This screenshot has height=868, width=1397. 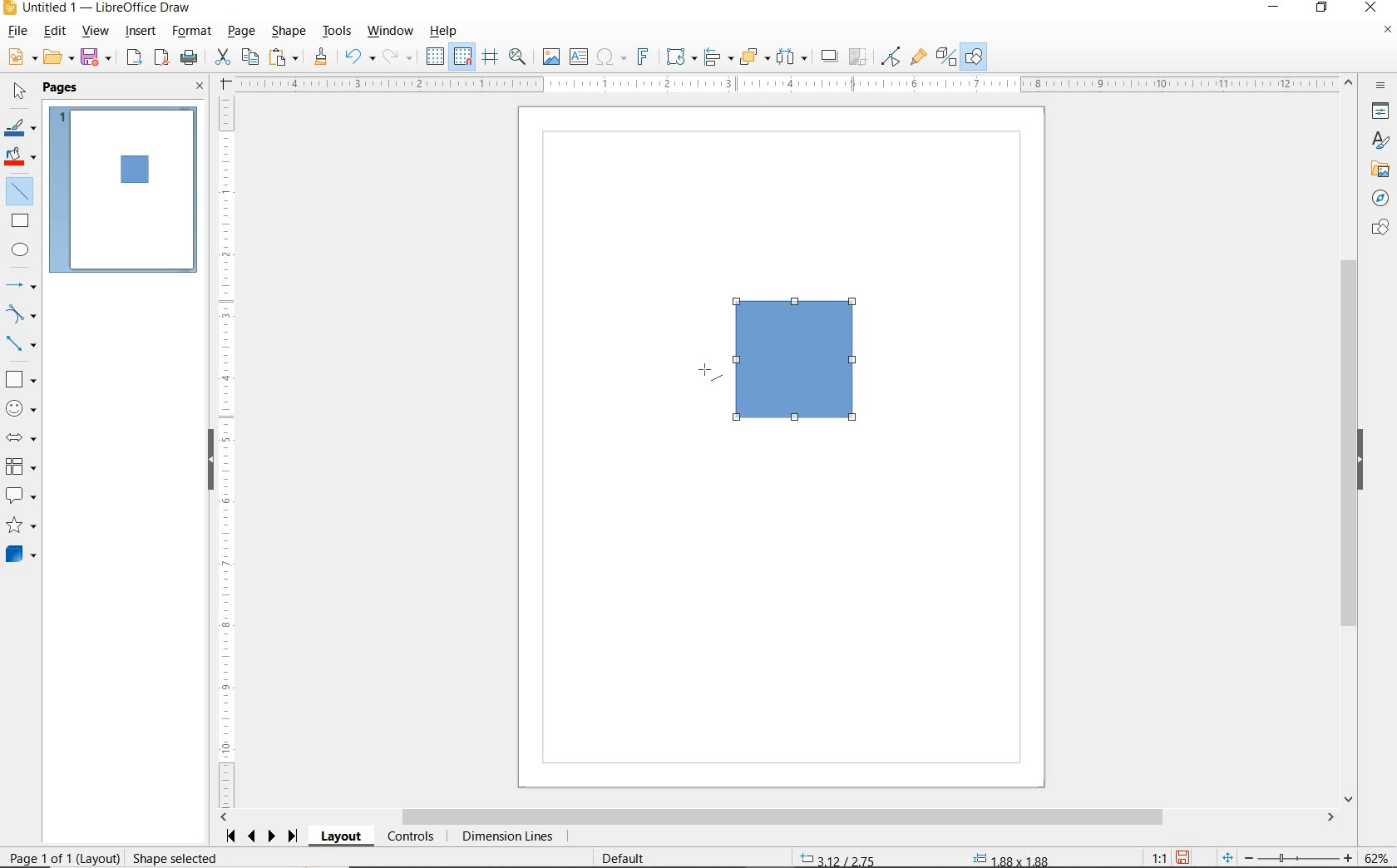 I want to click on INSERT LINE, so click(x=124, y=186).